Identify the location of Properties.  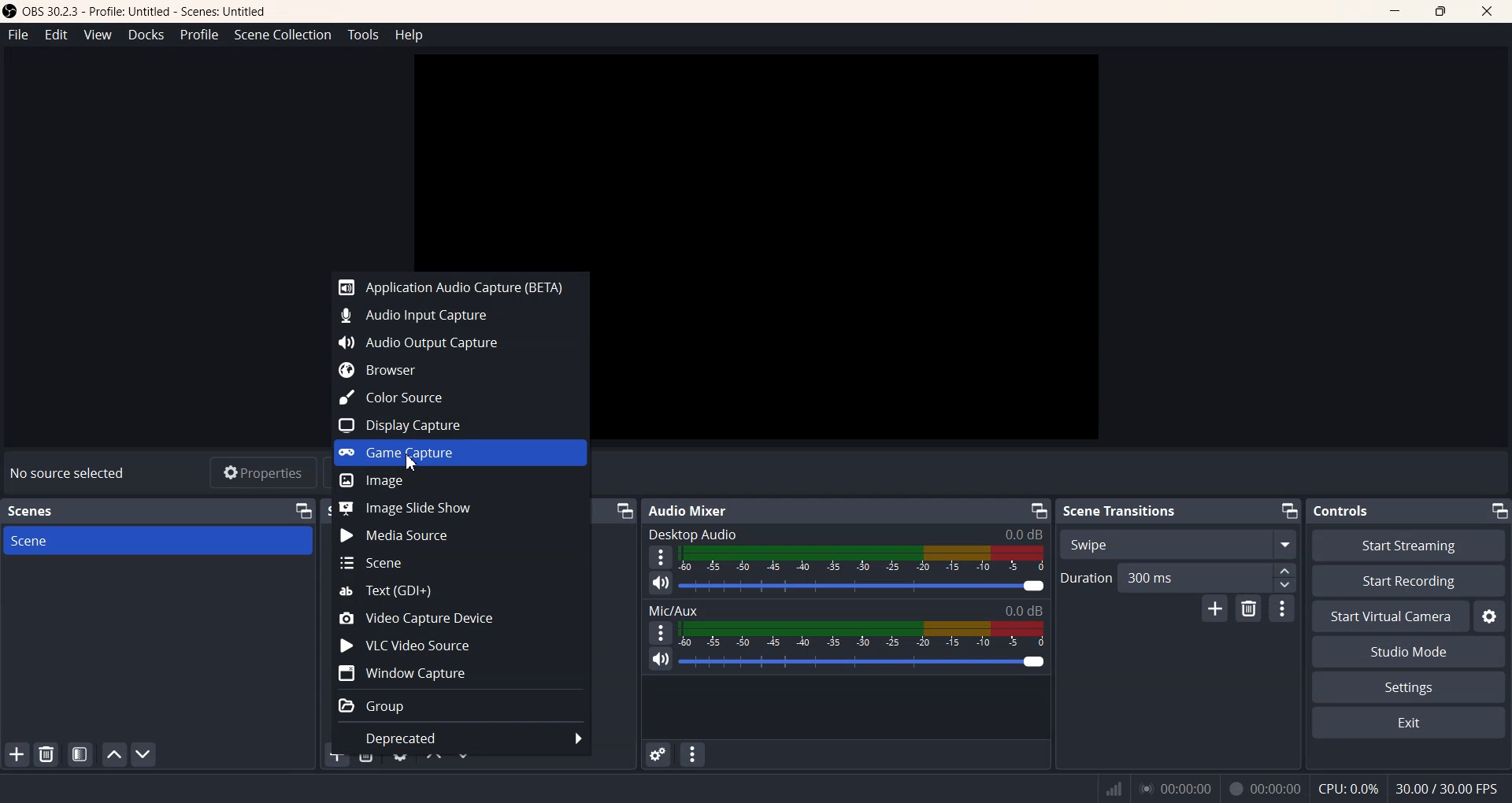
(262, 472).